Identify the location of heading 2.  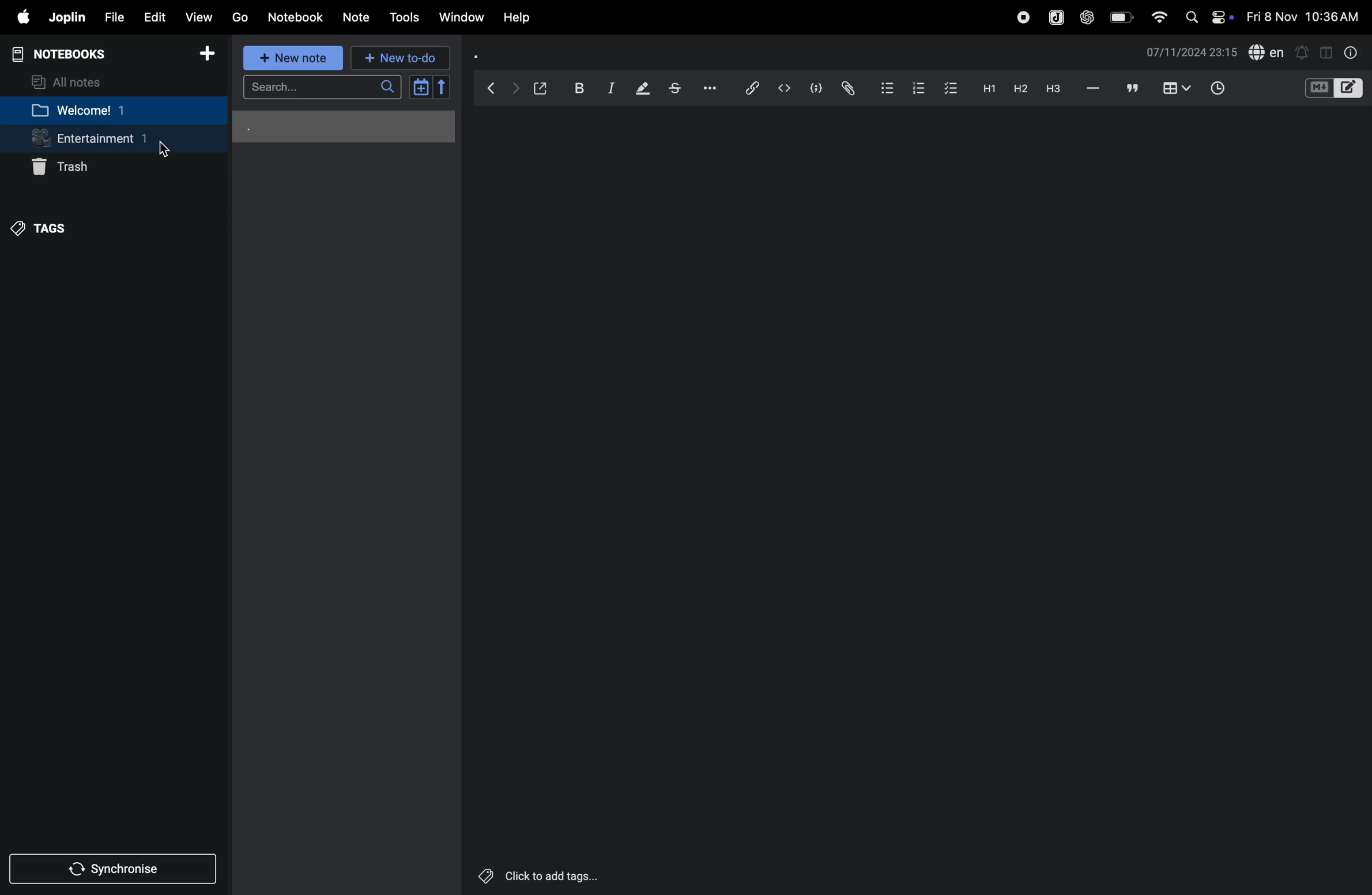
(1016, 89).